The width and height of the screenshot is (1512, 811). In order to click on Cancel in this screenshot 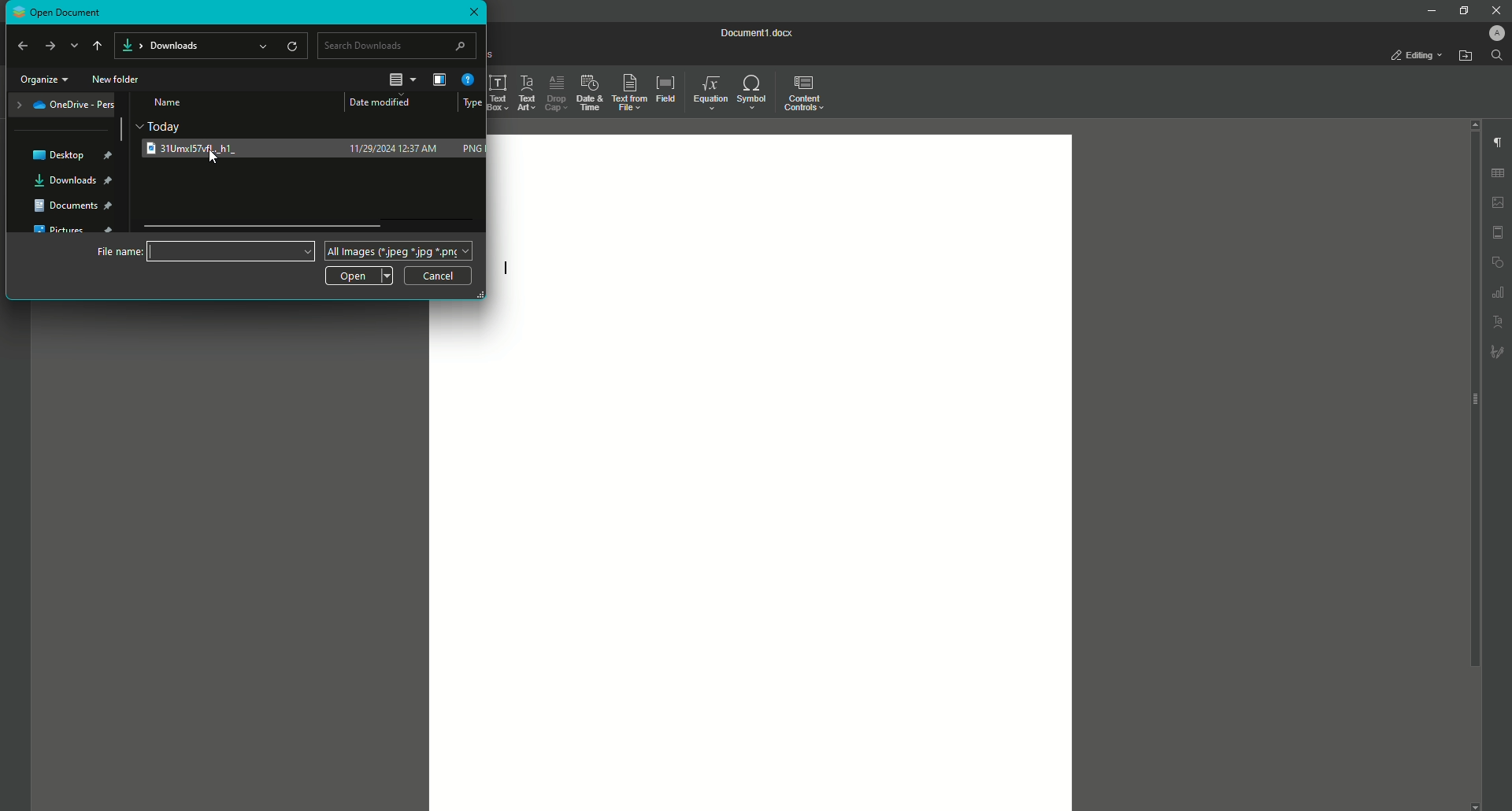, I will do `click(439, 276)`.